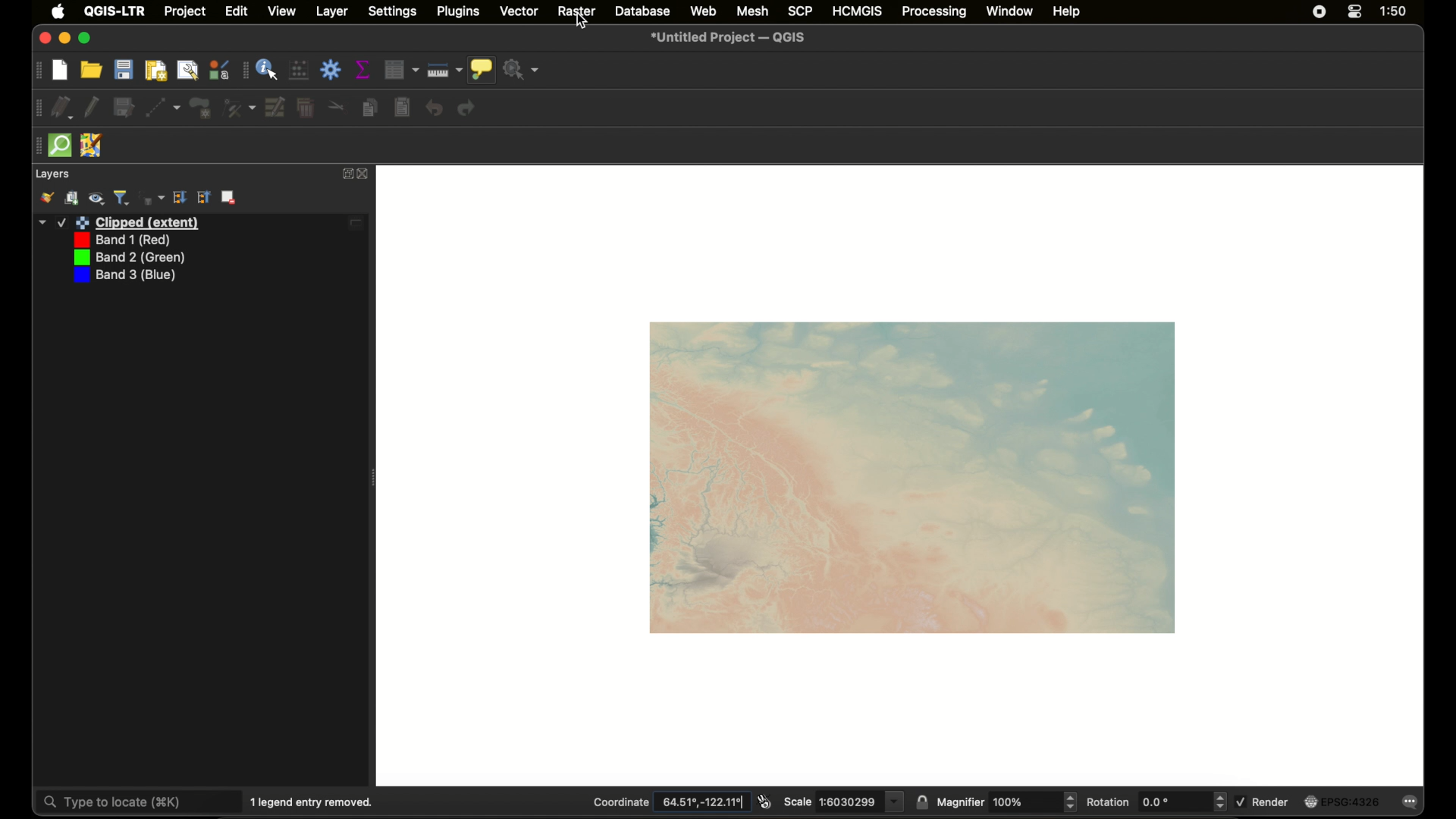  Describe the element at coordinates (186, 12) in the screenshot. I see `project` at that location.